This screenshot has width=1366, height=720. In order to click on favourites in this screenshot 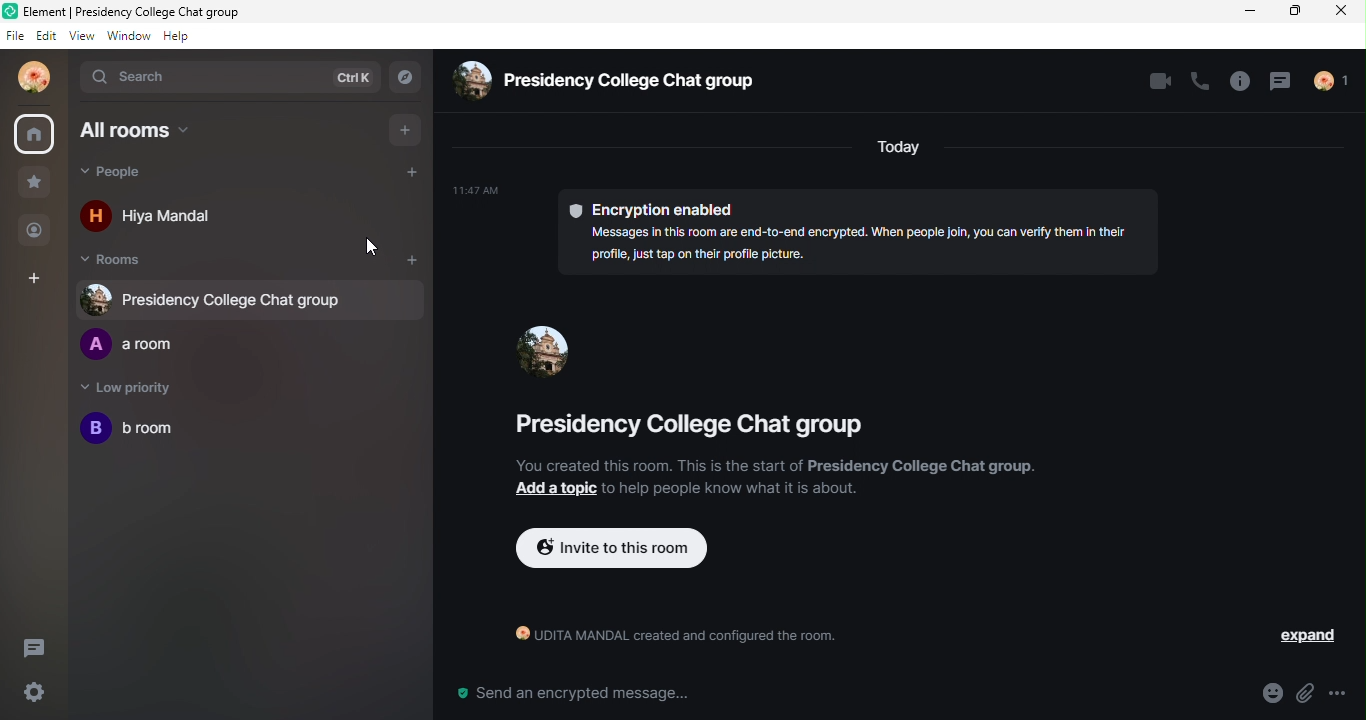, I will do `click(38, 186)`.